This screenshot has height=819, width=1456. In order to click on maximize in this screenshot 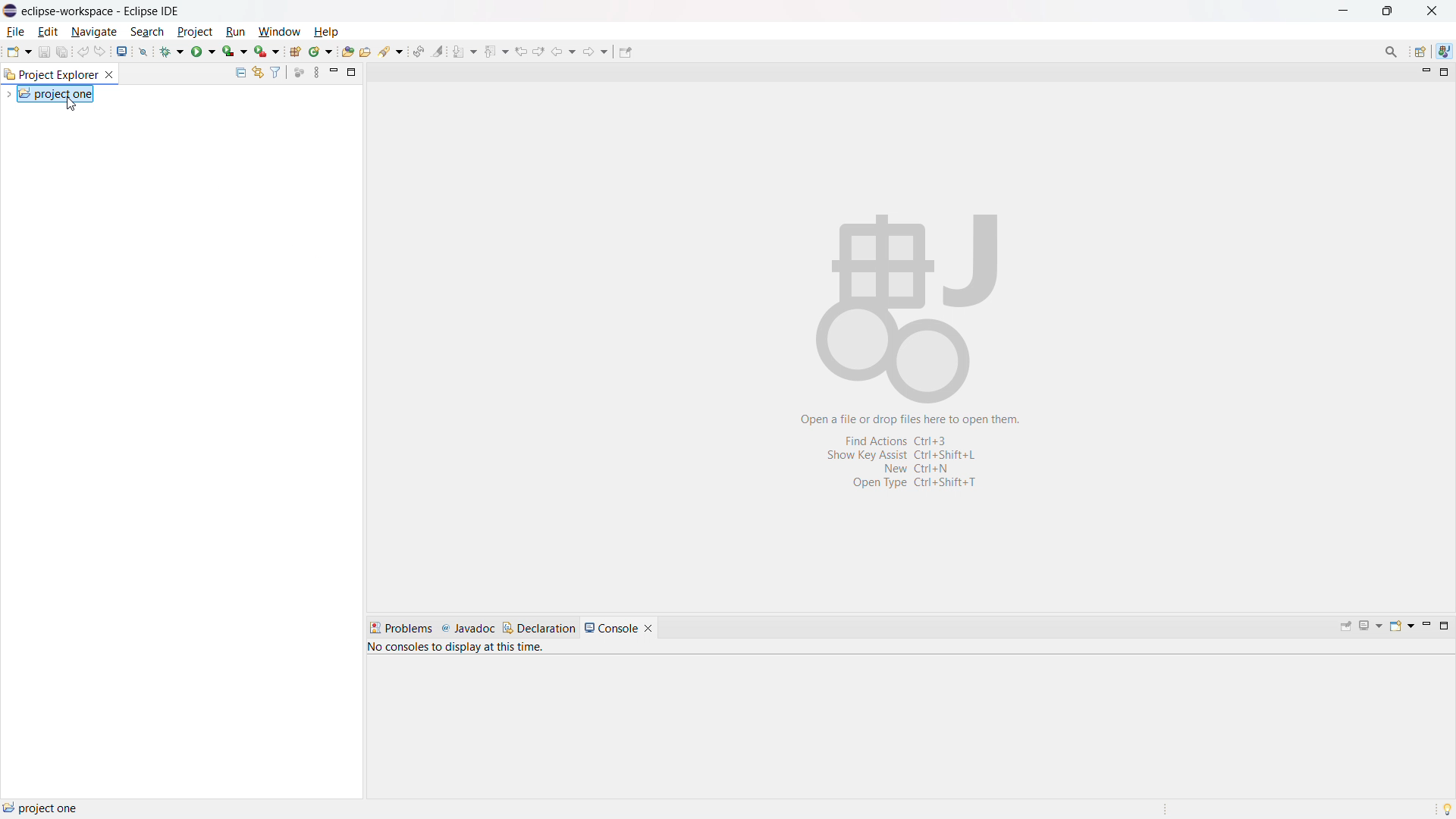, I will do `click(1444, 626)`.